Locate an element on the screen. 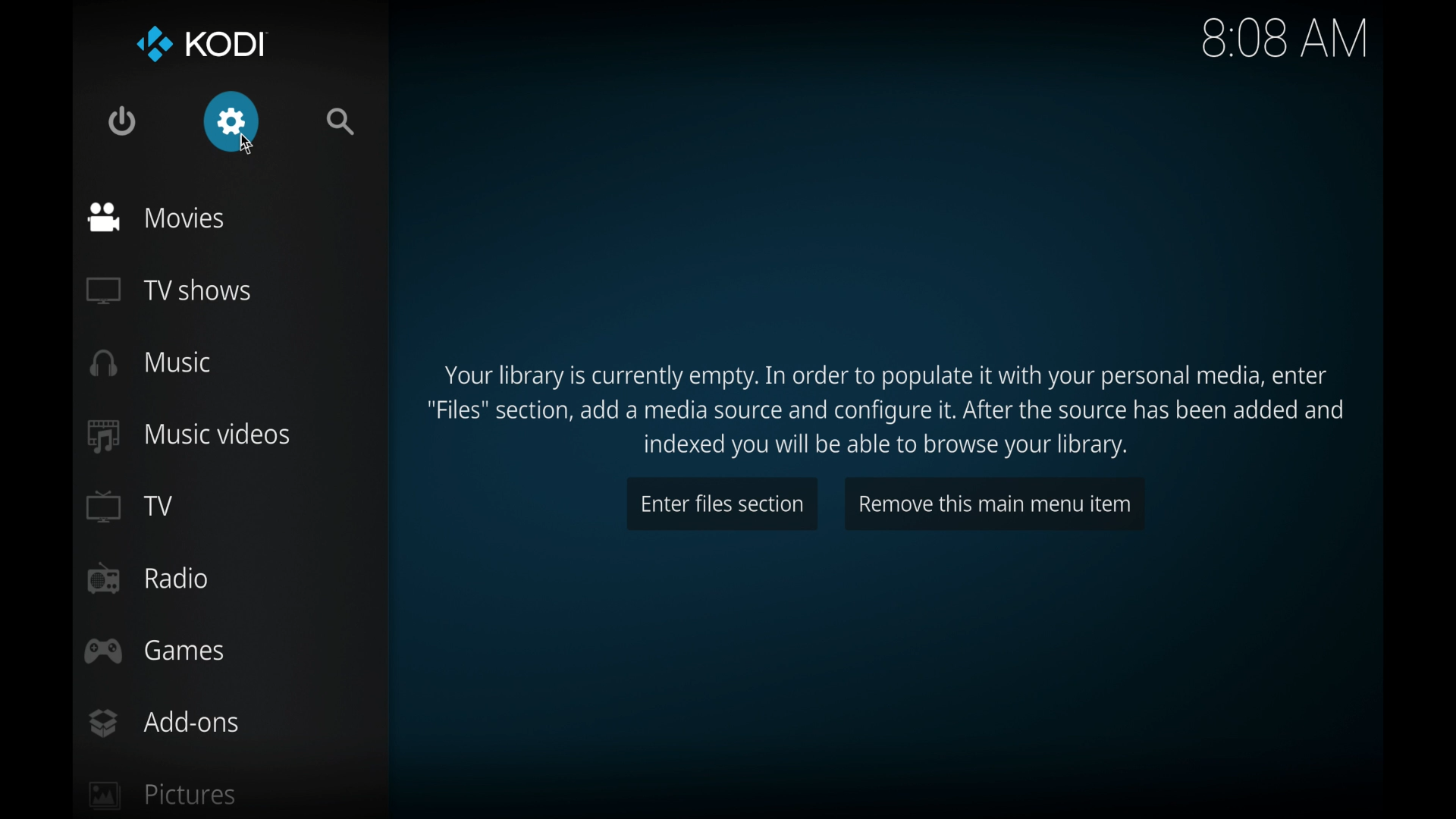 This screenshot has width=1456, height=819. enter files section is located at coordinates (723, 504).